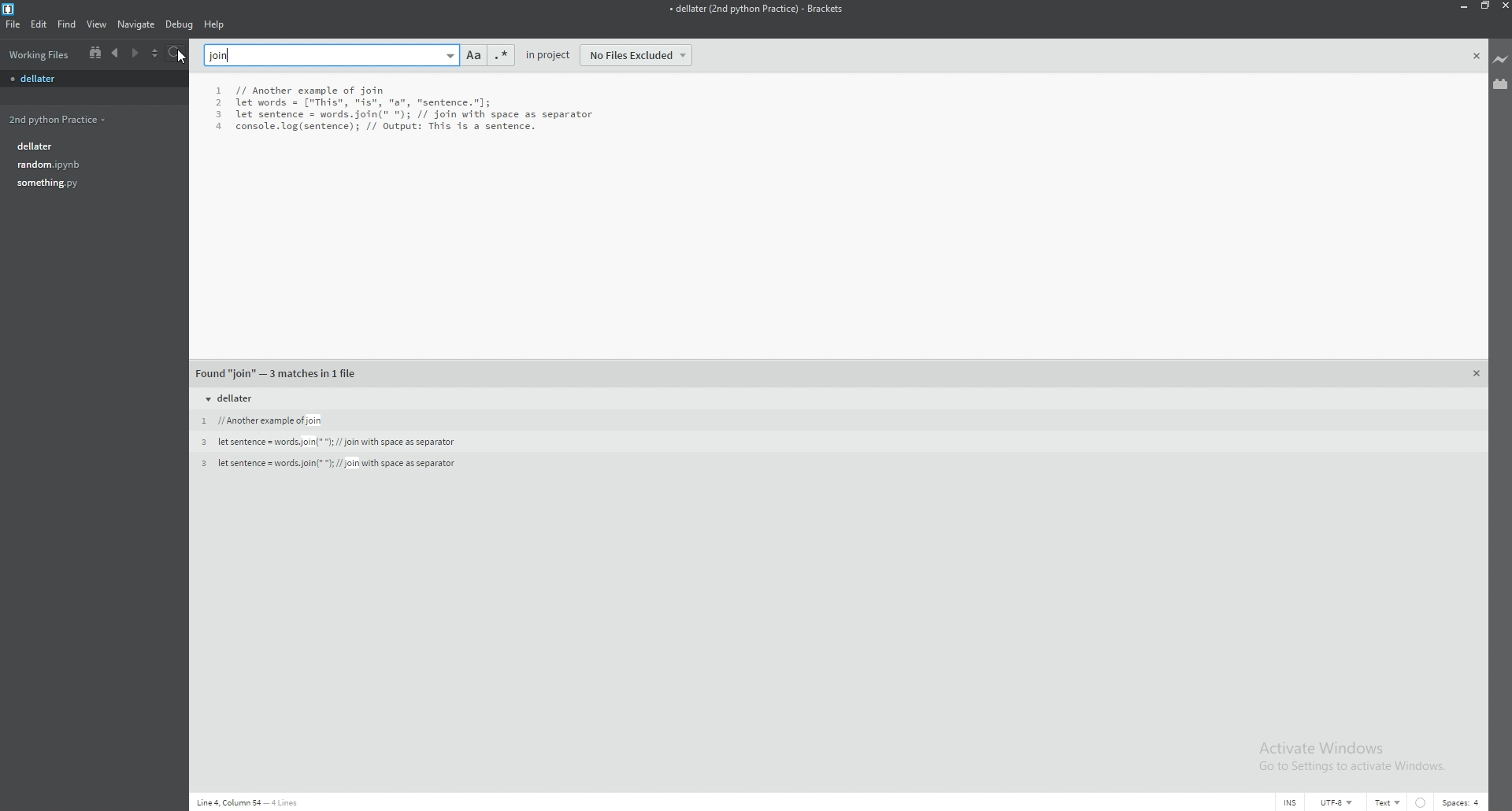 Image resolution: width=1512 pixels, height=811 pixels. I want to click on Found "join" — 3 matches in 1 file, so click(281, 369).